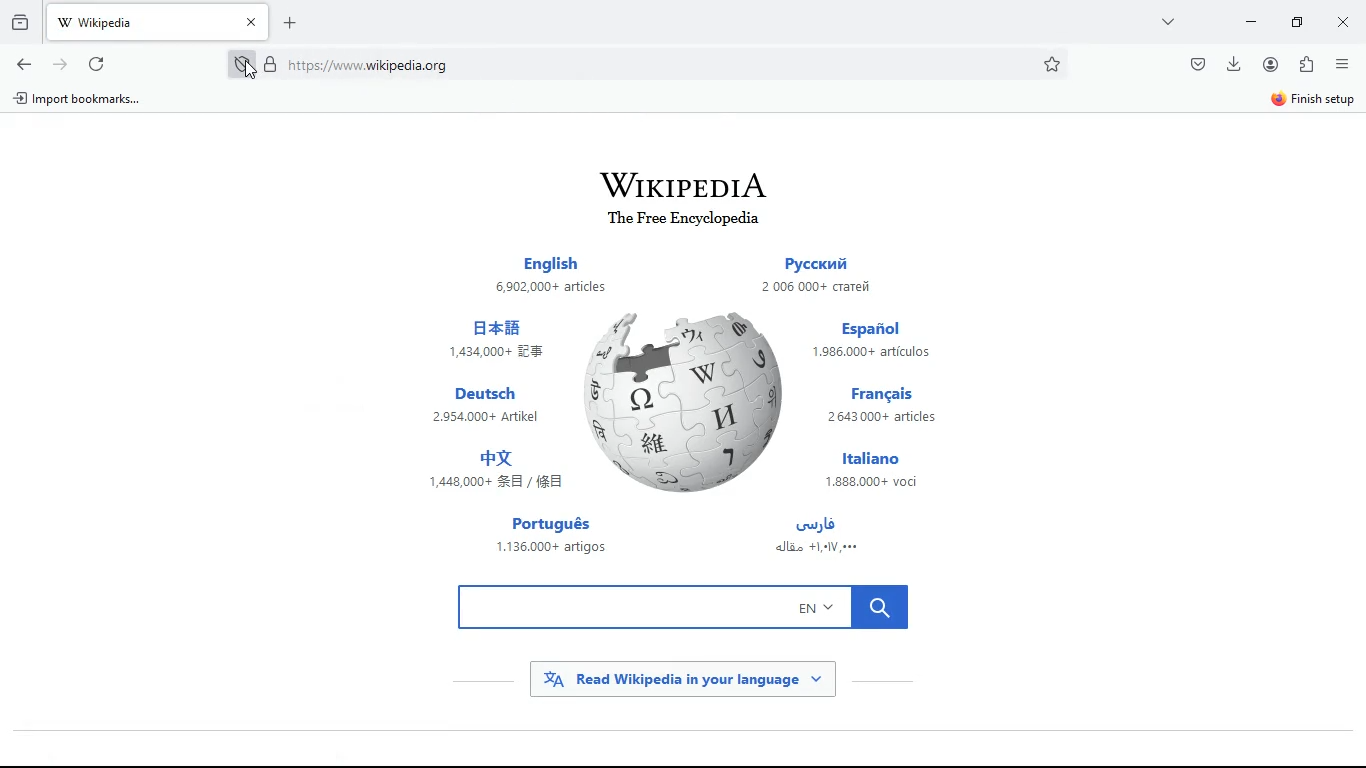 Image resolution: width=1366 pixels, height=768 pixels. Describe the element at coordinates (22, 20) in the screenshot. I see `hystoric` at that location.